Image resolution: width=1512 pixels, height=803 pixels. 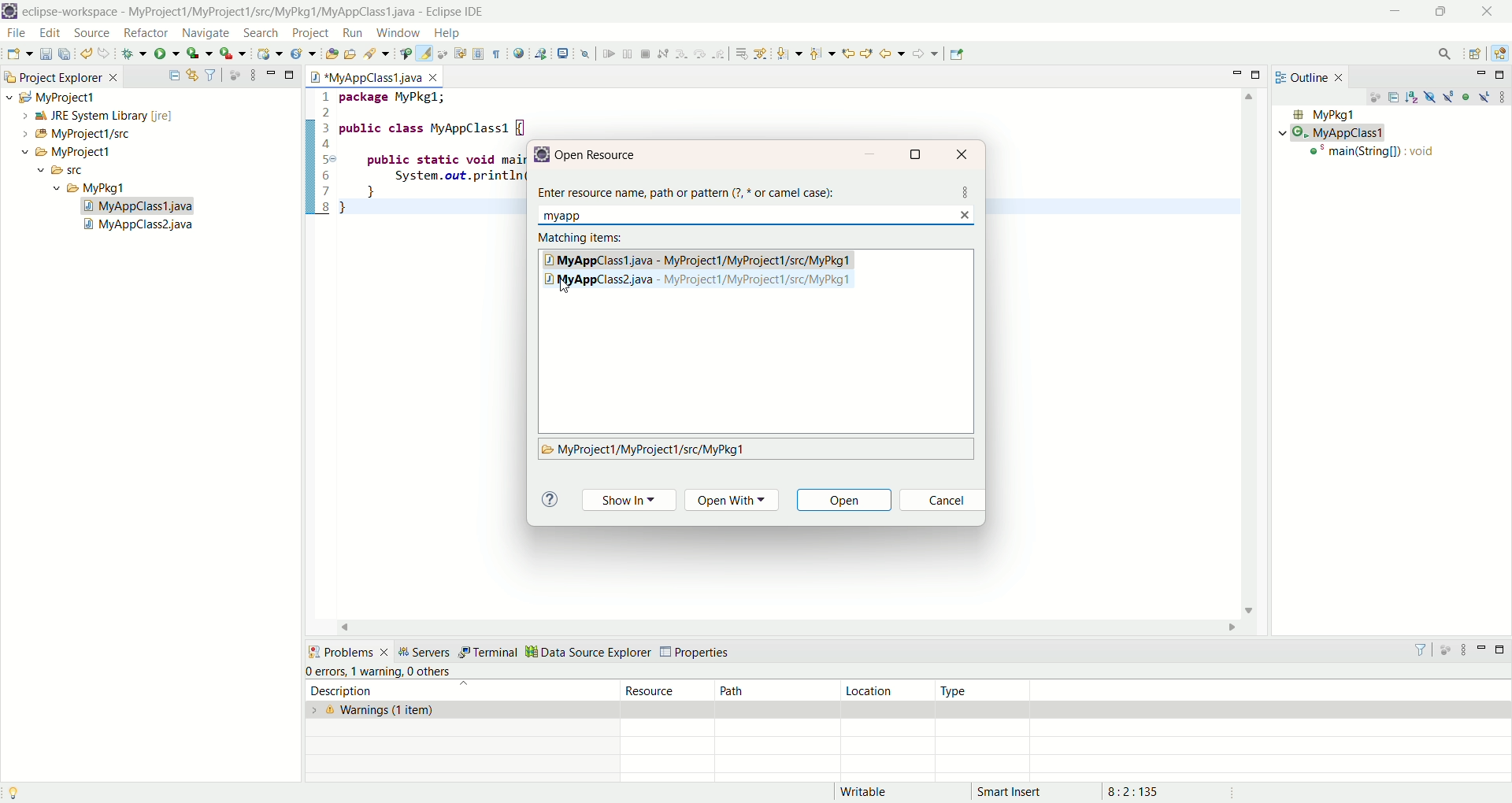 What do you see at coordinates (50, 35) in the screenshot?
I see `edit` at bounding box center [50, 35].